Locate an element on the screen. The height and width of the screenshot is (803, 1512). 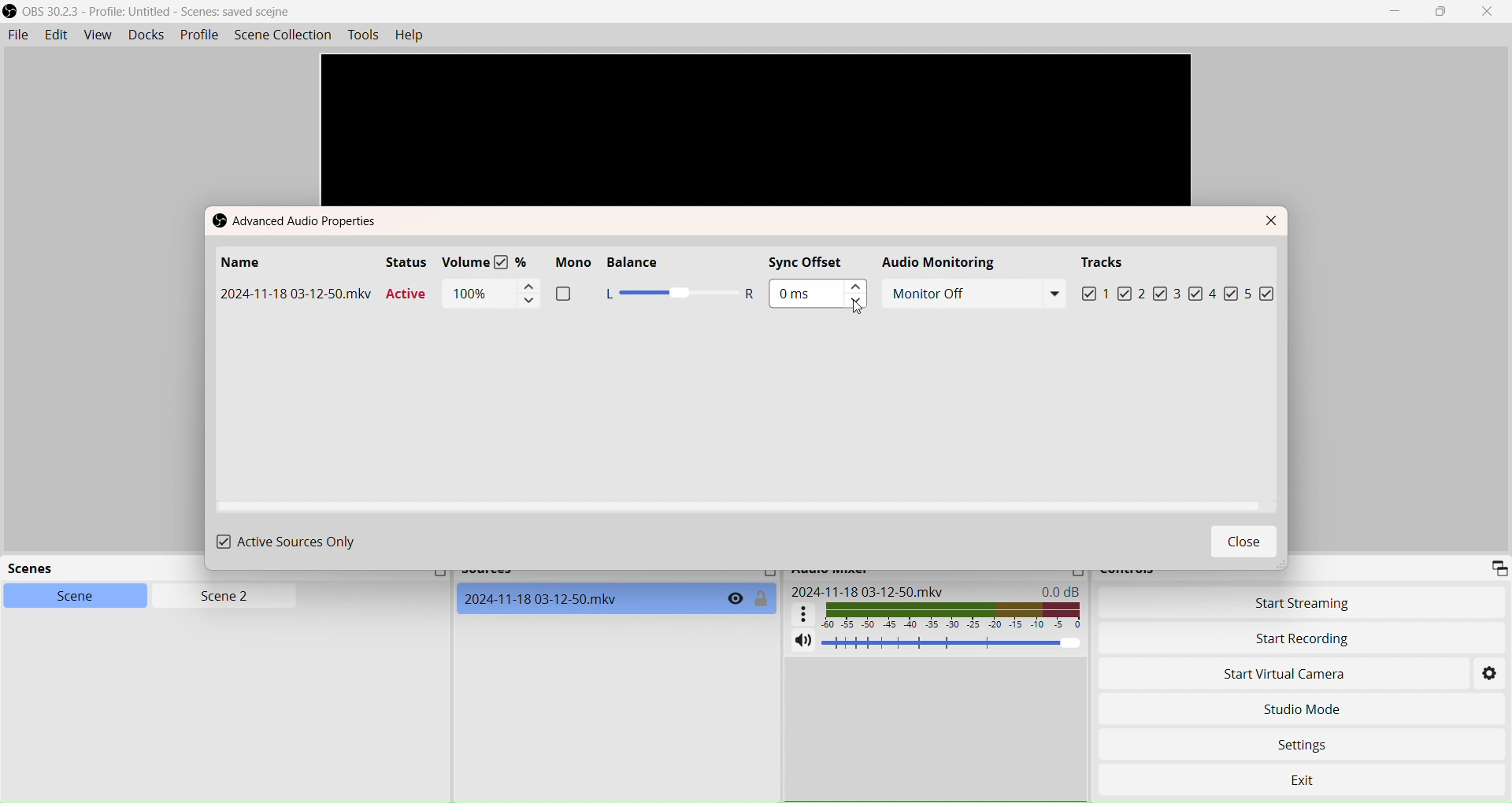
Start Virtual Camera is located at coordinates (1295, 675).